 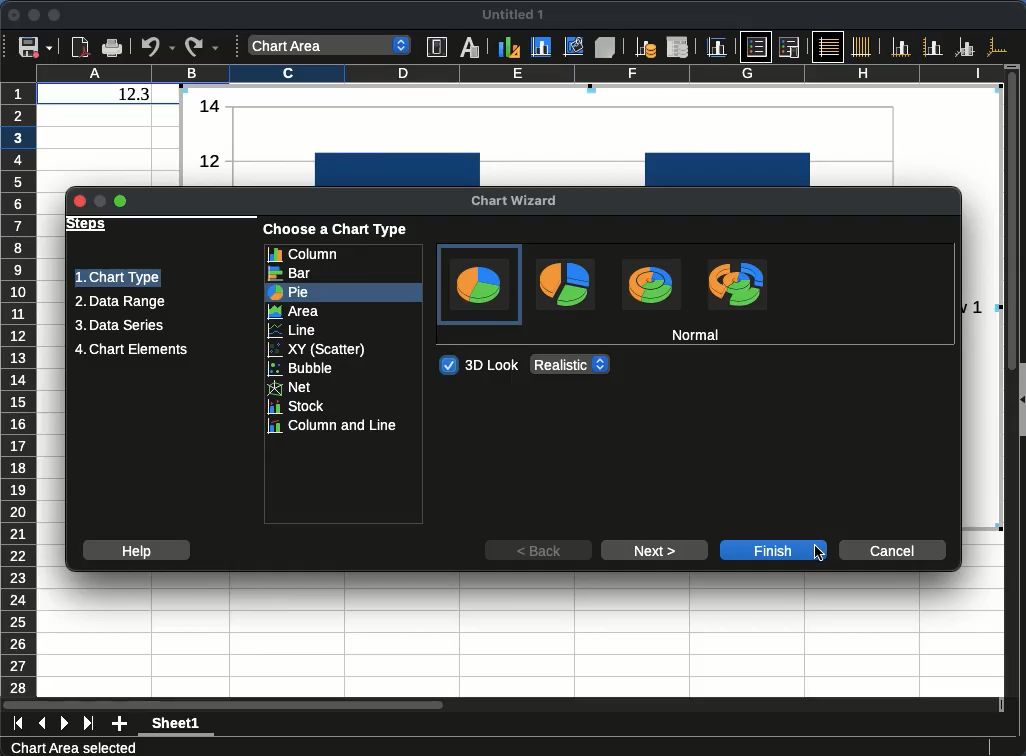 I want to click on Y axis, so click(x=933, y=46).